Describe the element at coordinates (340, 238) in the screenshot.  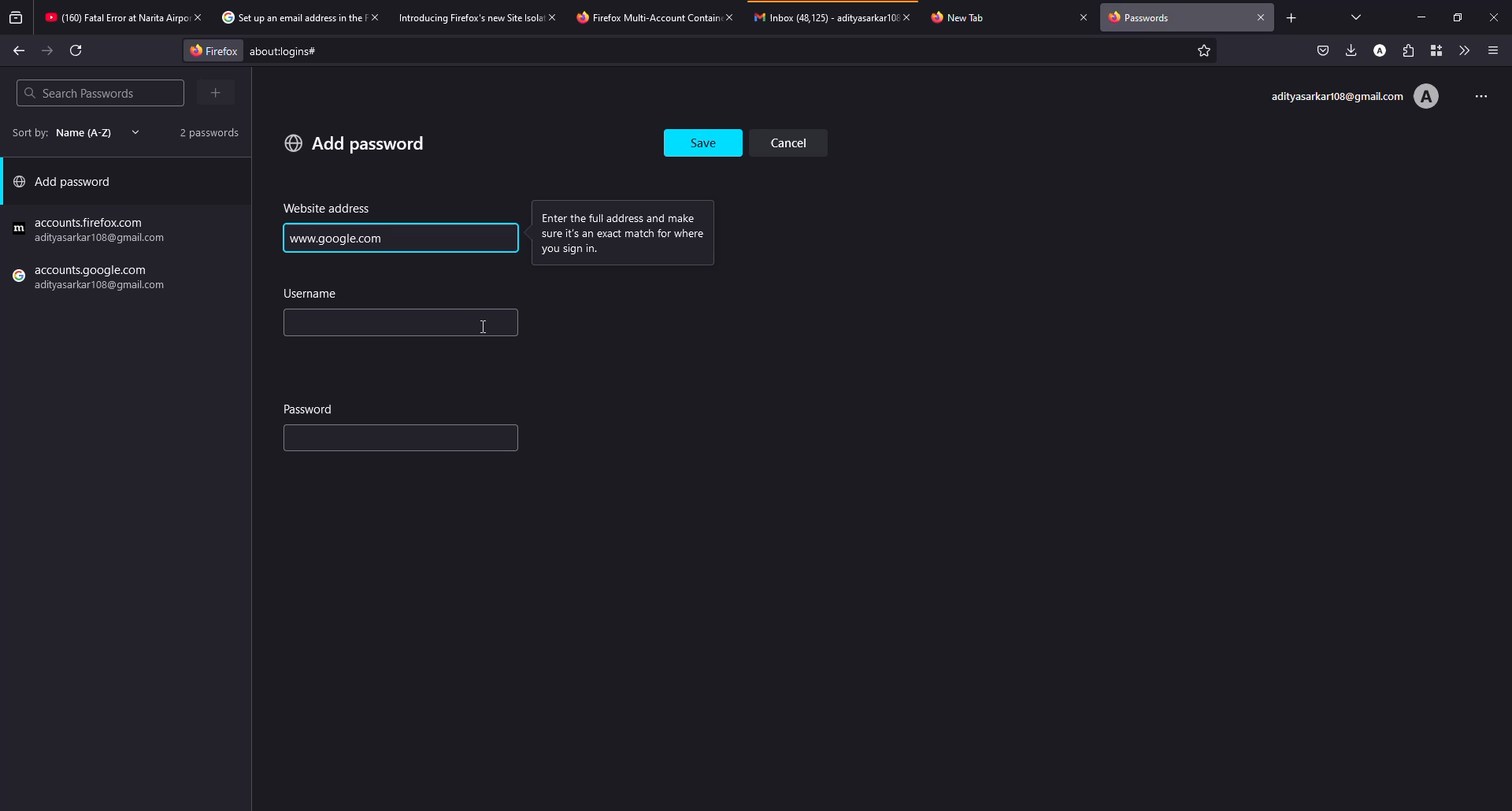
I see `www.google.com` at that location.